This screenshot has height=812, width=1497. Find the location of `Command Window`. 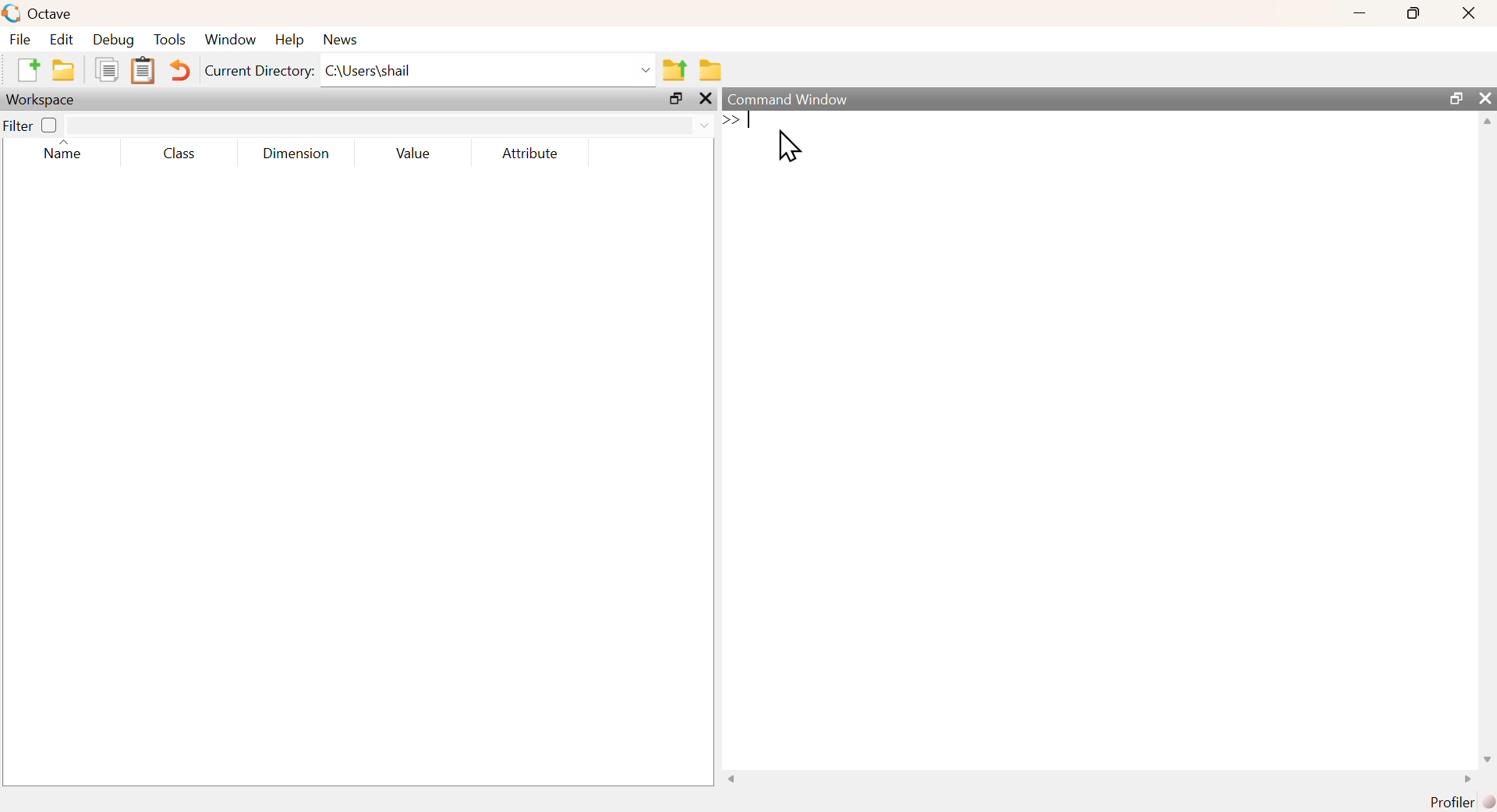

Command Window is located at coordinates (787, 101).